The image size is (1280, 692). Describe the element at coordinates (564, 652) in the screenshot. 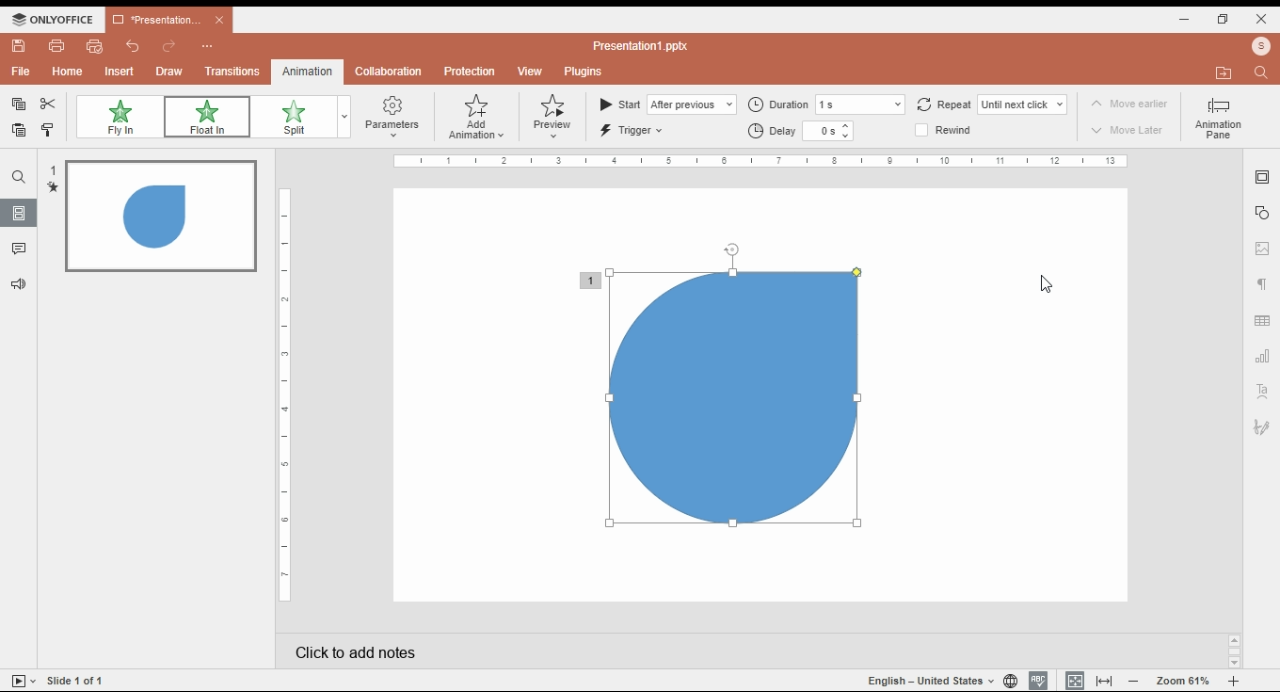

I see `click to add notes` at that location.